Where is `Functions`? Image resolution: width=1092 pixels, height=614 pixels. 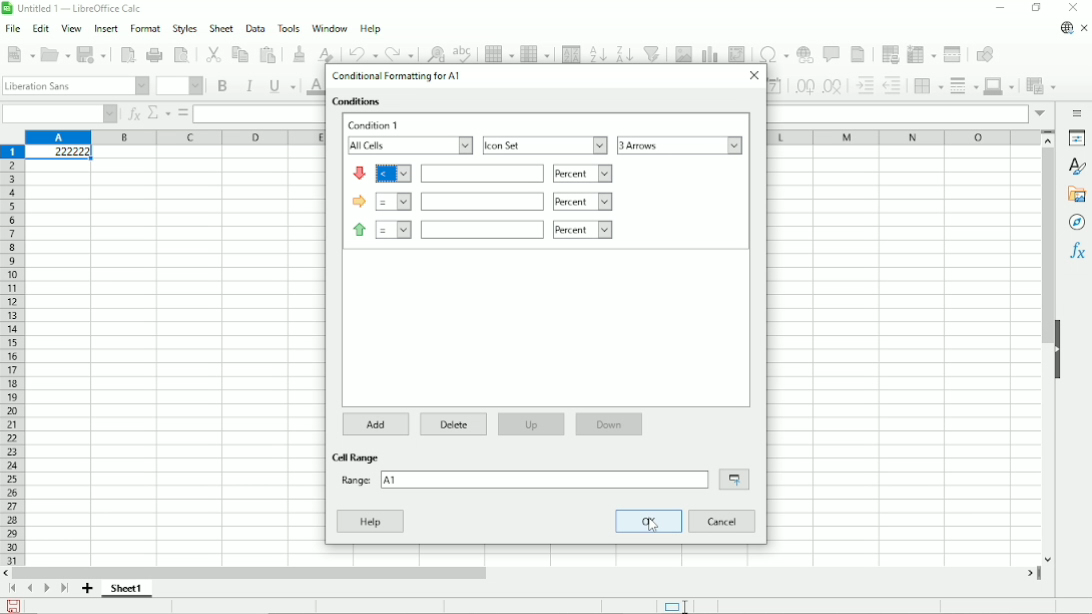
Functions is located at coordinates (1077, 252).